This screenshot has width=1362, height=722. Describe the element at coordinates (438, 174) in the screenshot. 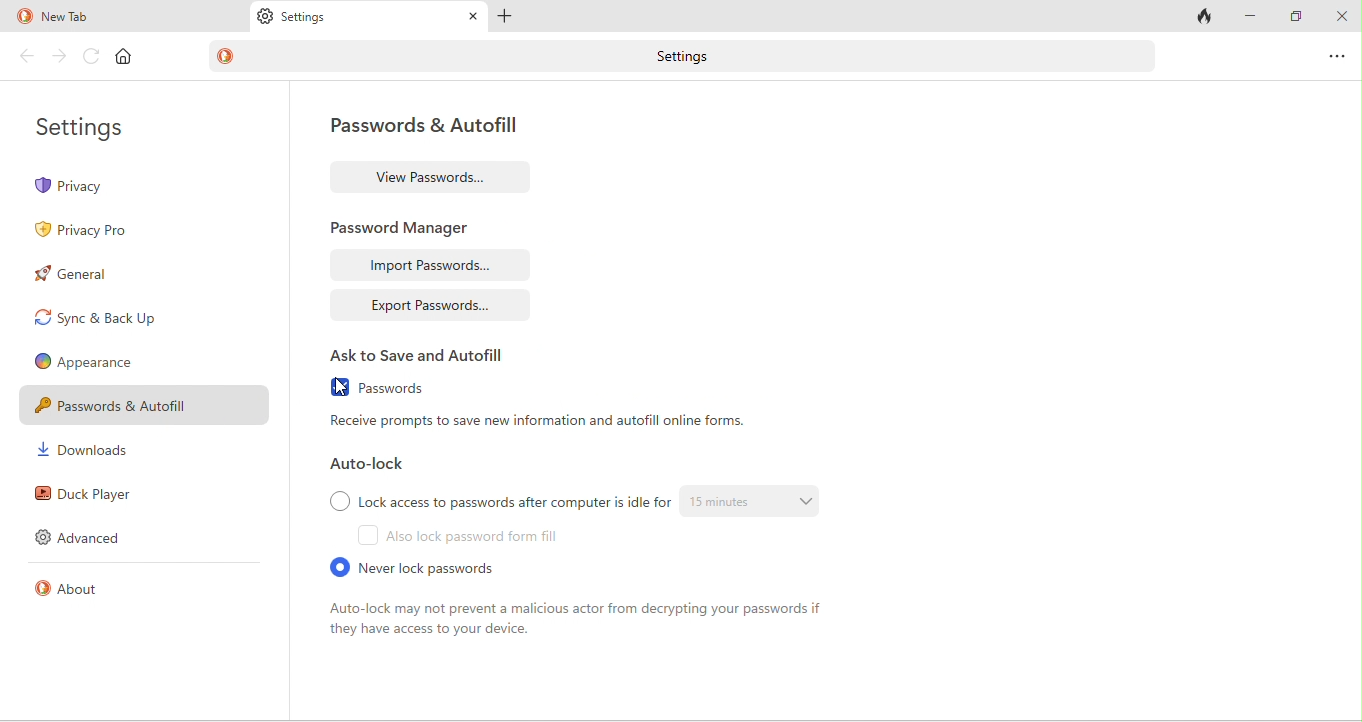

I see `view passwords` at that location.